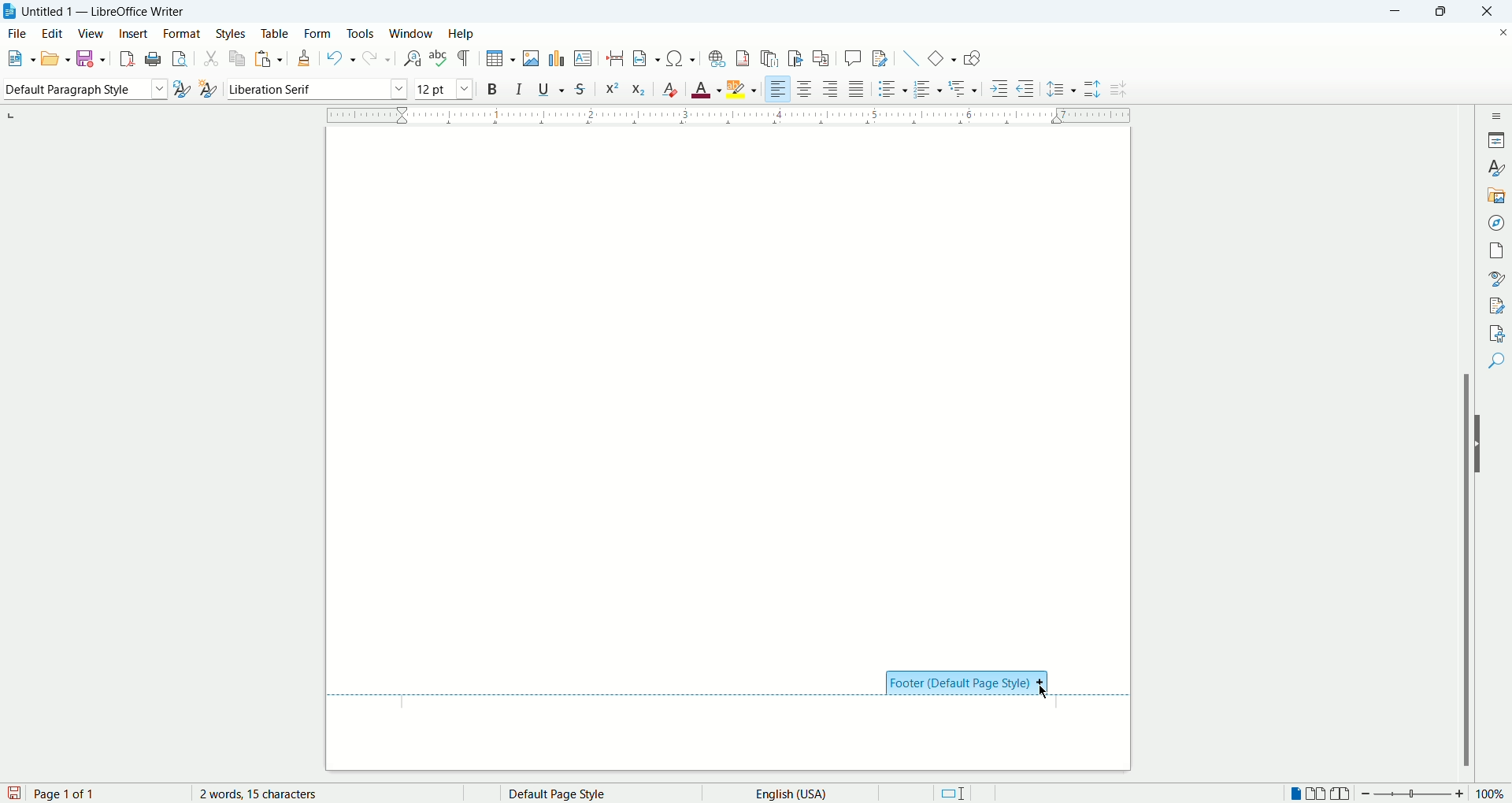  I want to click on format, so click(181, 34).